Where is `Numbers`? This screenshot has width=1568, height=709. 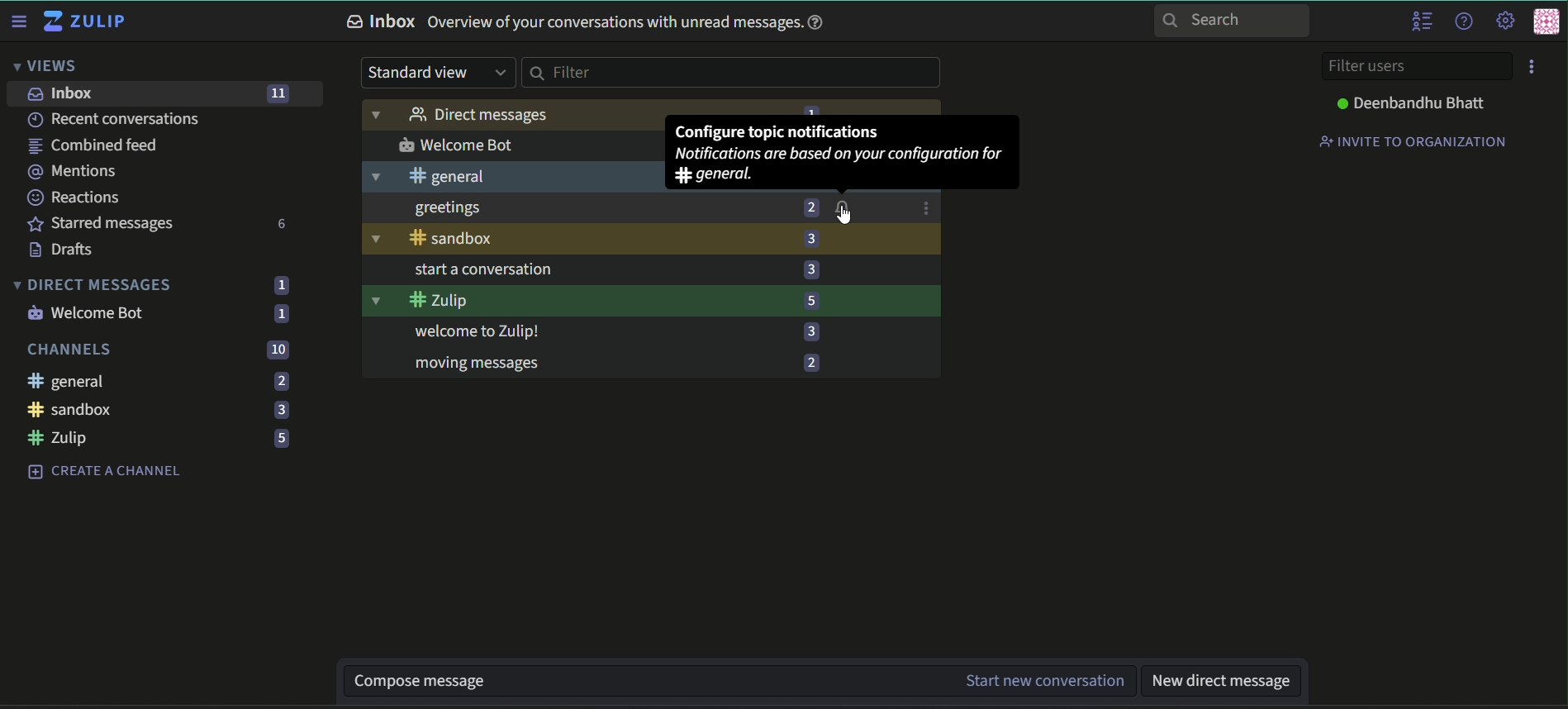
Numbers is located at coordinates (278, 439).